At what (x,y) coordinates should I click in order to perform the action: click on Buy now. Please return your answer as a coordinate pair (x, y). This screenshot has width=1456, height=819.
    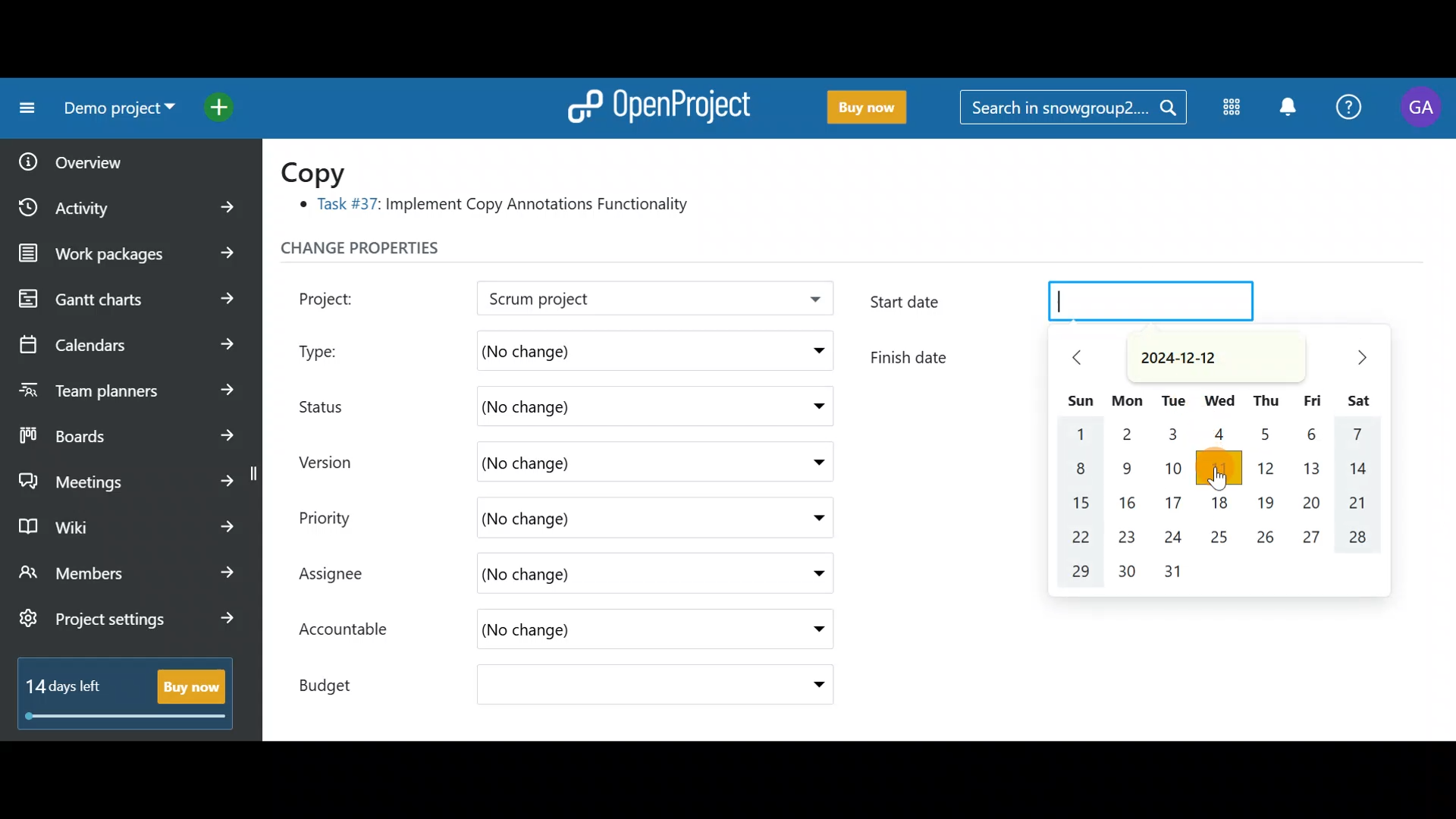
    Looking at the image, I should click on (860, 108).